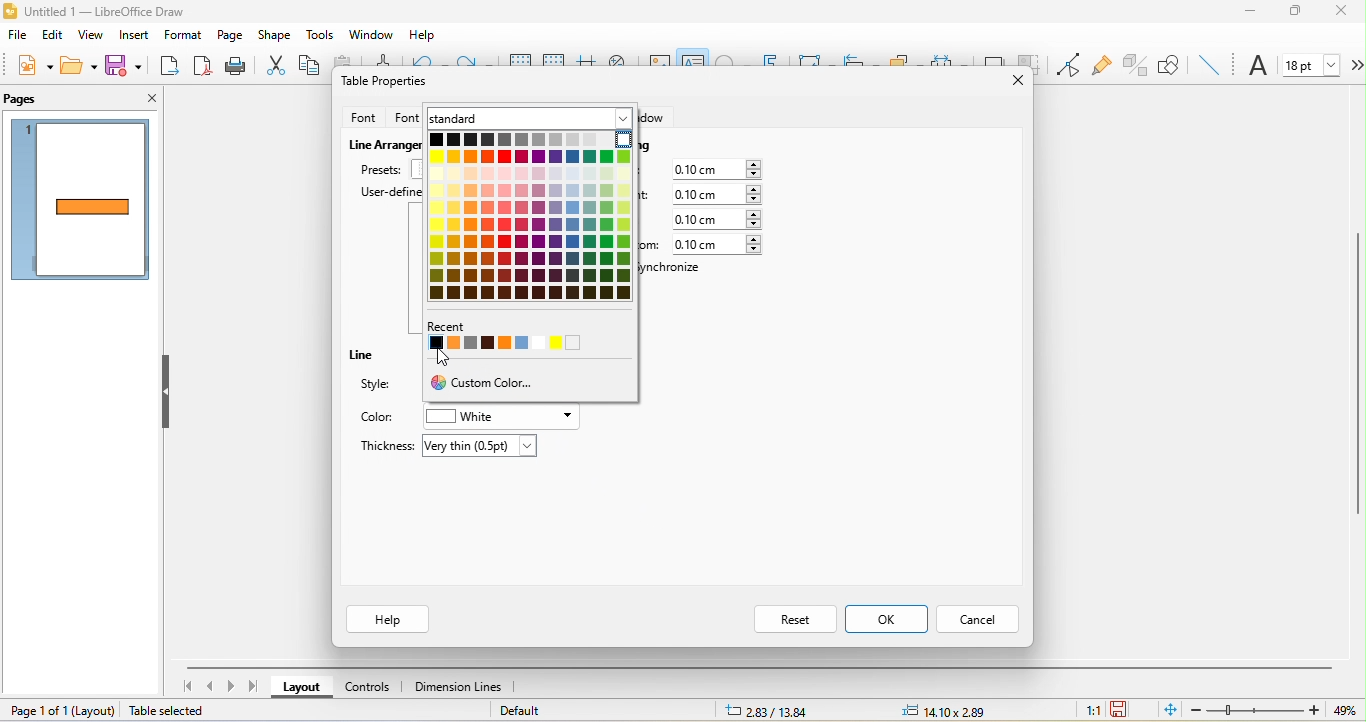 Image resolution: width=1366 pixels, height=722 pixels. What do you see at coordinates (387, 619) in the screenshot?
I see `help` at bounding box center [387, 619].